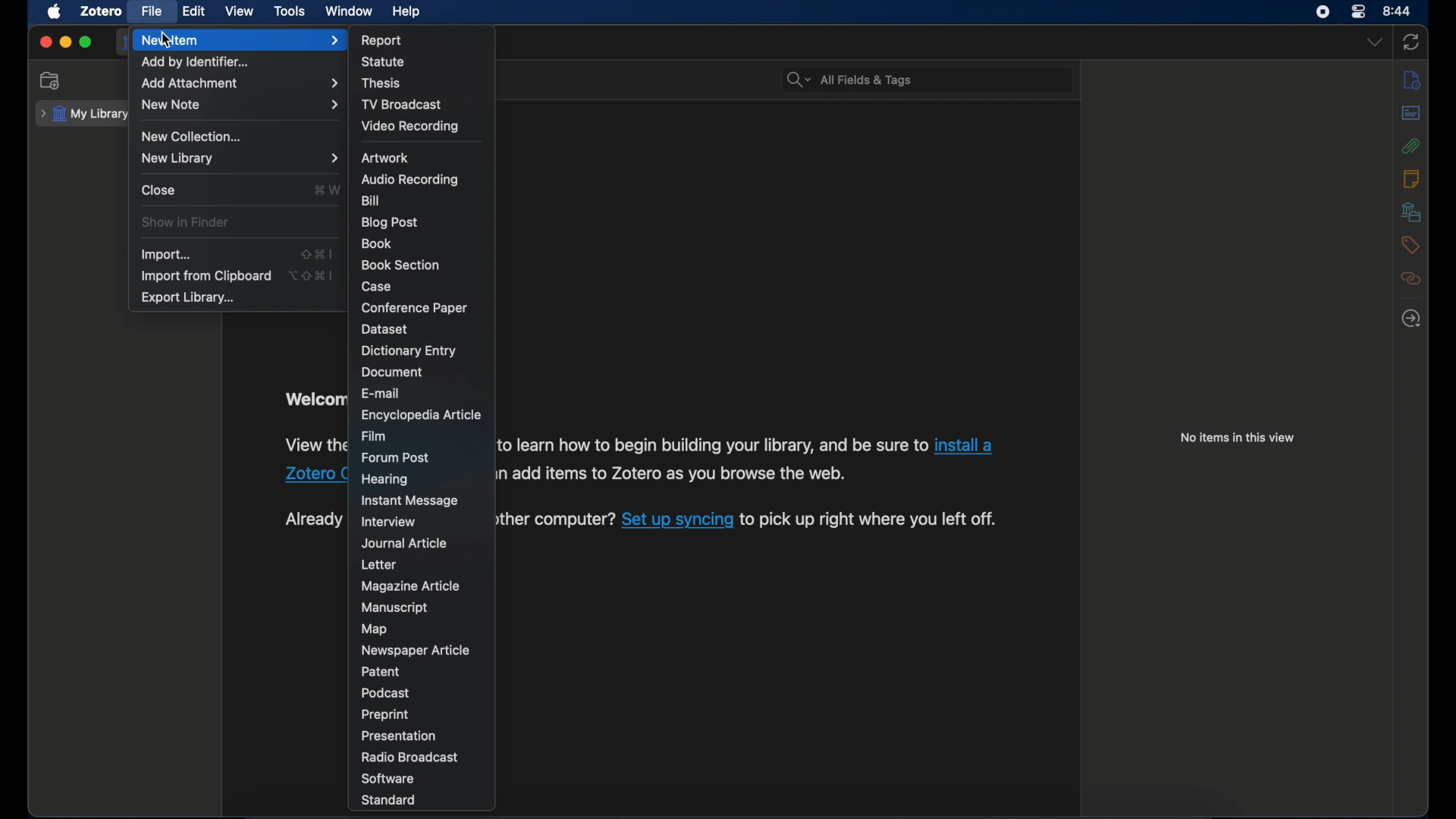  Describe the element at coordinates (409, 126) in the screenshot. I see `video recording` at that location.